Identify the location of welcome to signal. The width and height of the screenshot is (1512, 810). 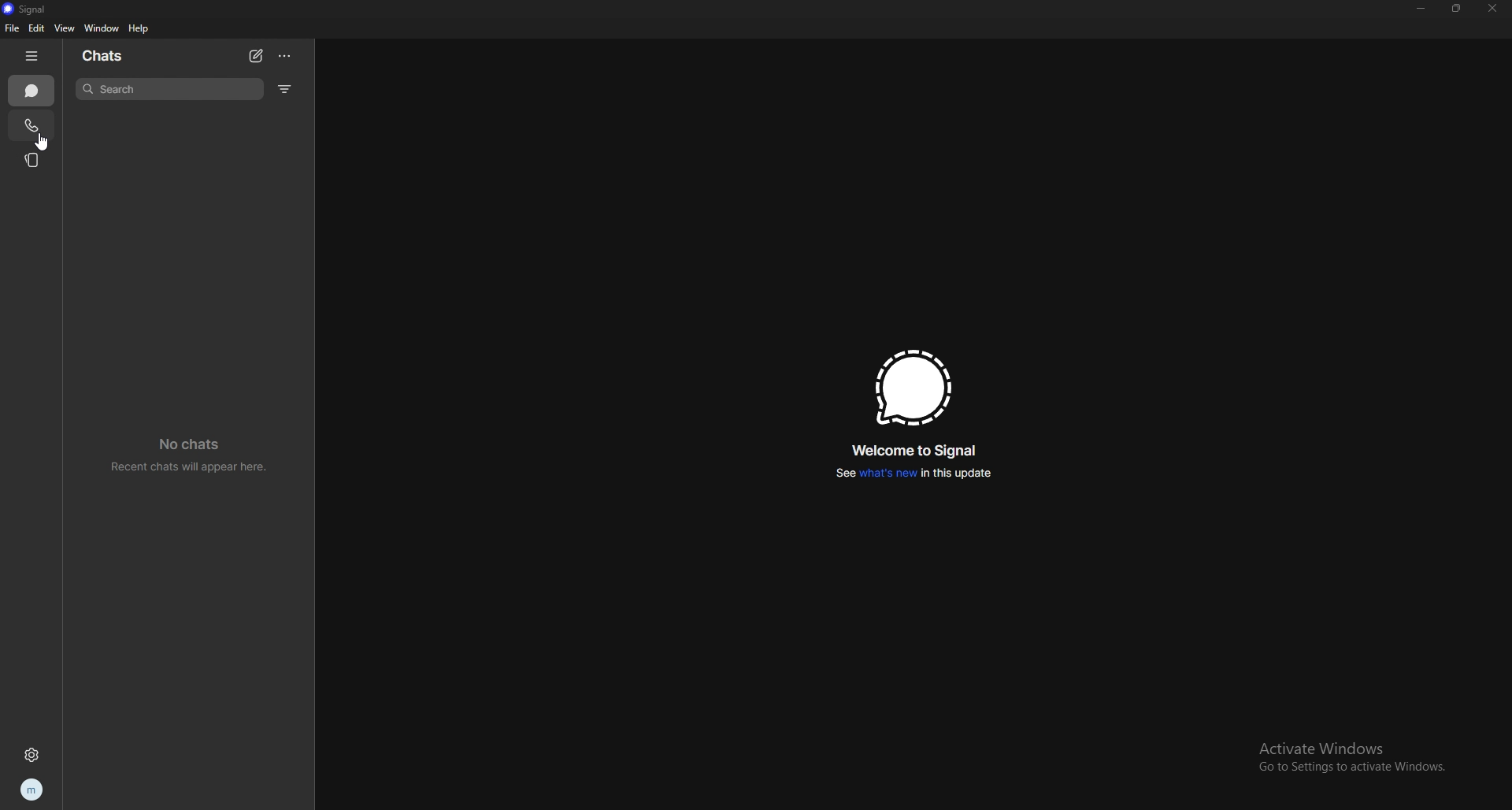
(917, 448).